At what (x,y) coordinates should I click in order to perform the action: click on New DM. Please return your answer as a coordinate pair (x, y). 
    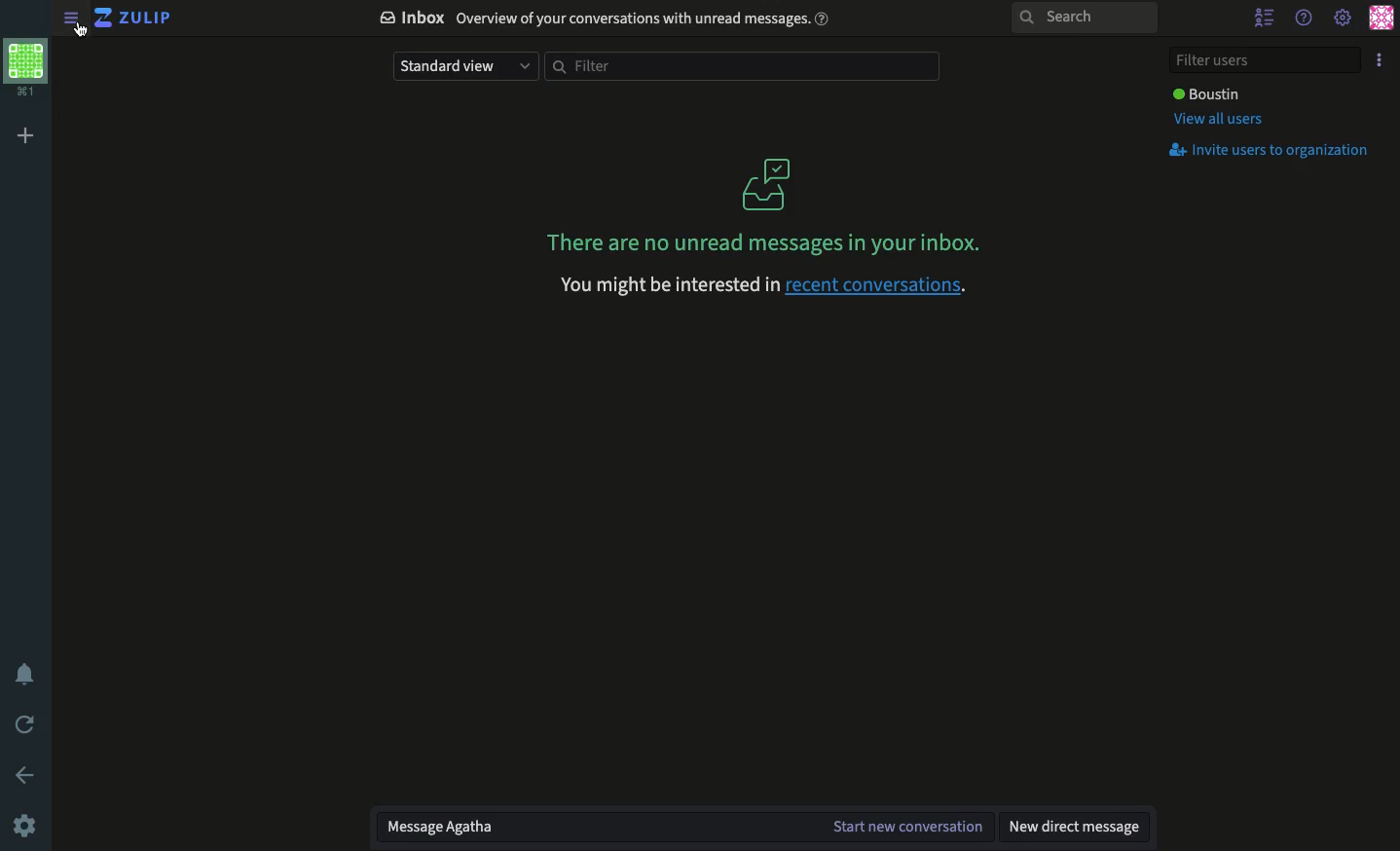
    Looking at the image, I should click on (1077, 826).